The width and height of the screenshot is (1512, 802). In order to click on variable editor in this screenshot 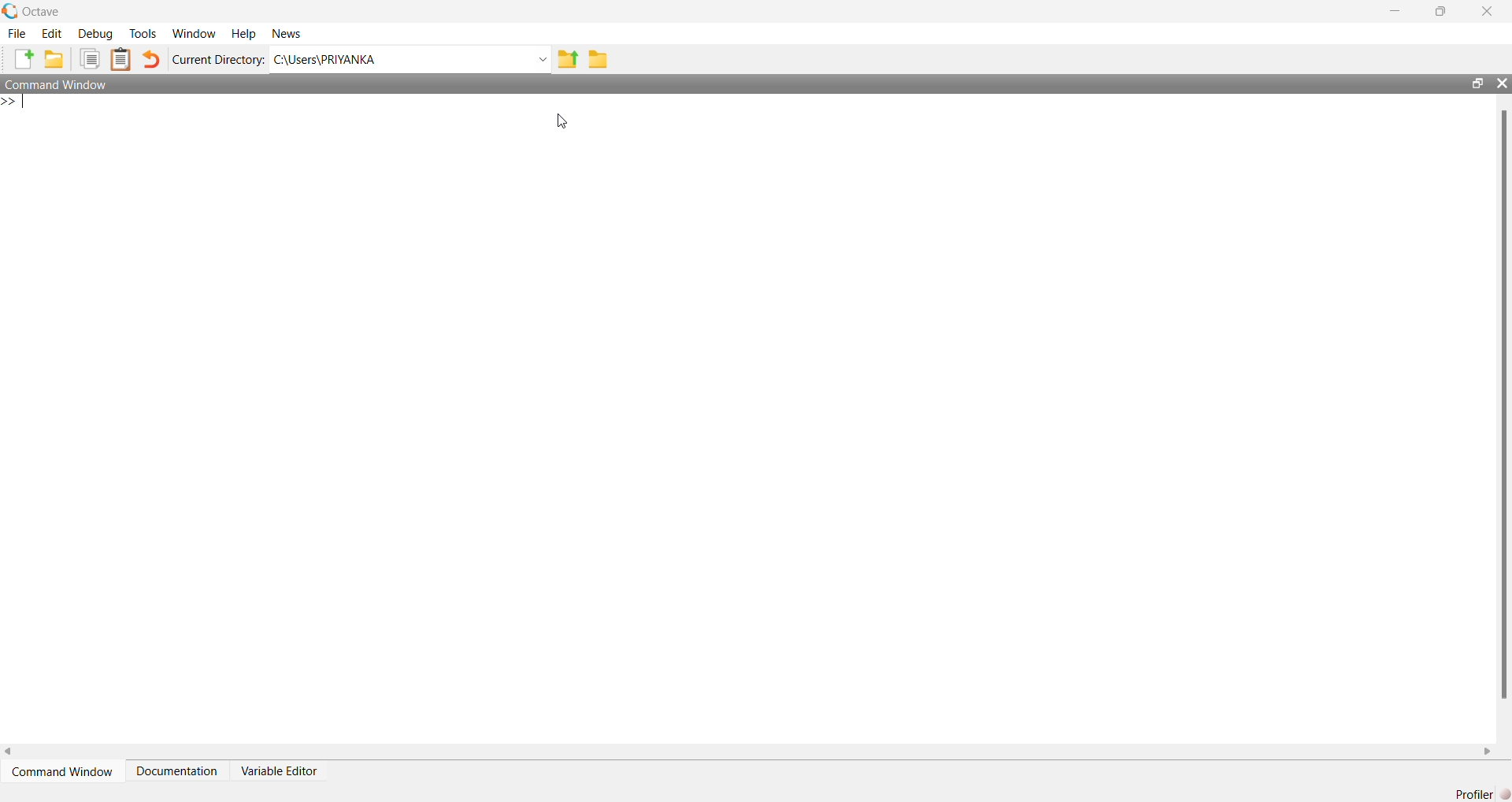, I will do `click(291, 772)`.